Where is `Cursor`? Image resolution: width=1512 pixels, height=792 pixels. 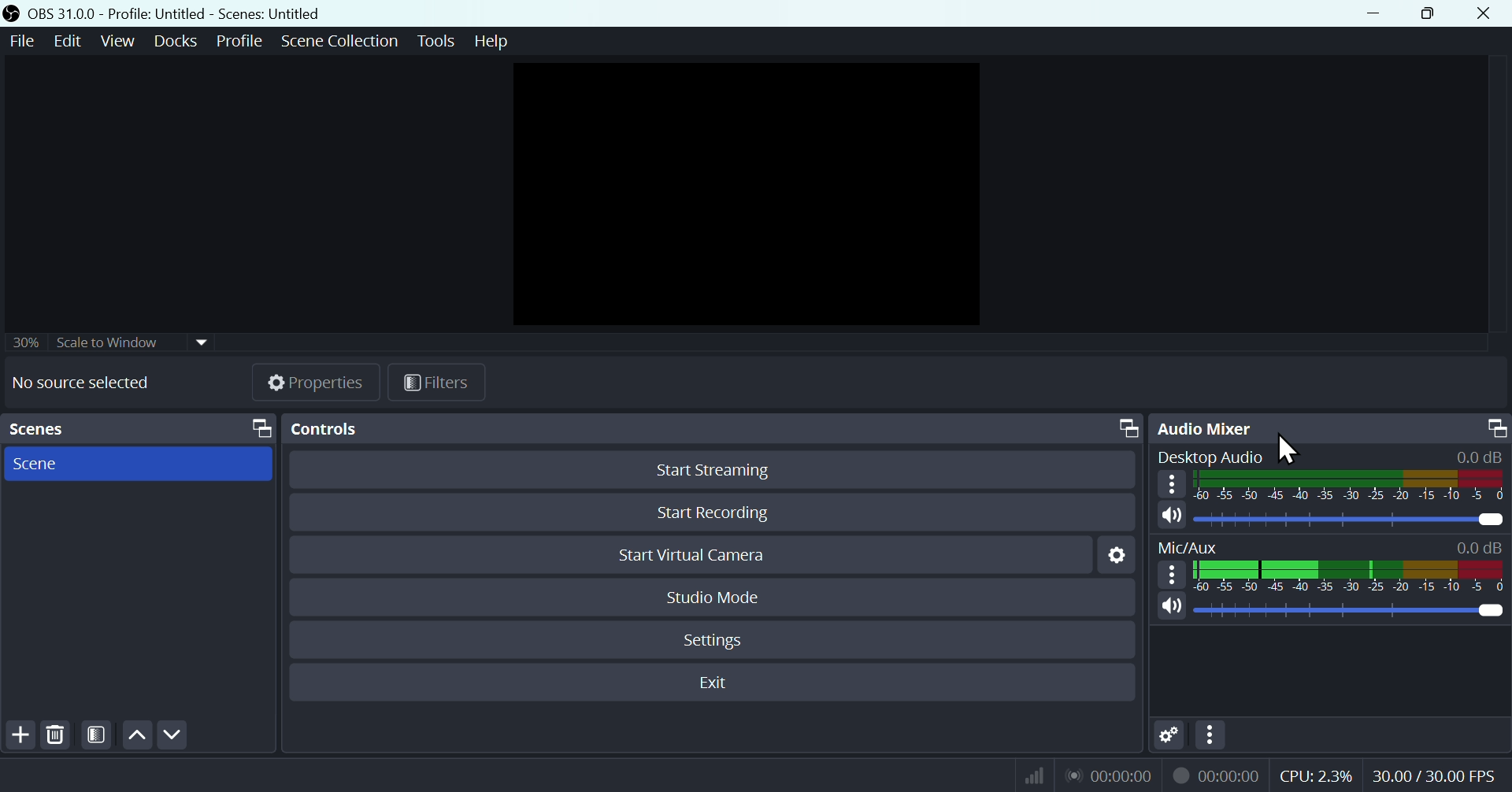
Cursor is located at coordinates (1291, 450).